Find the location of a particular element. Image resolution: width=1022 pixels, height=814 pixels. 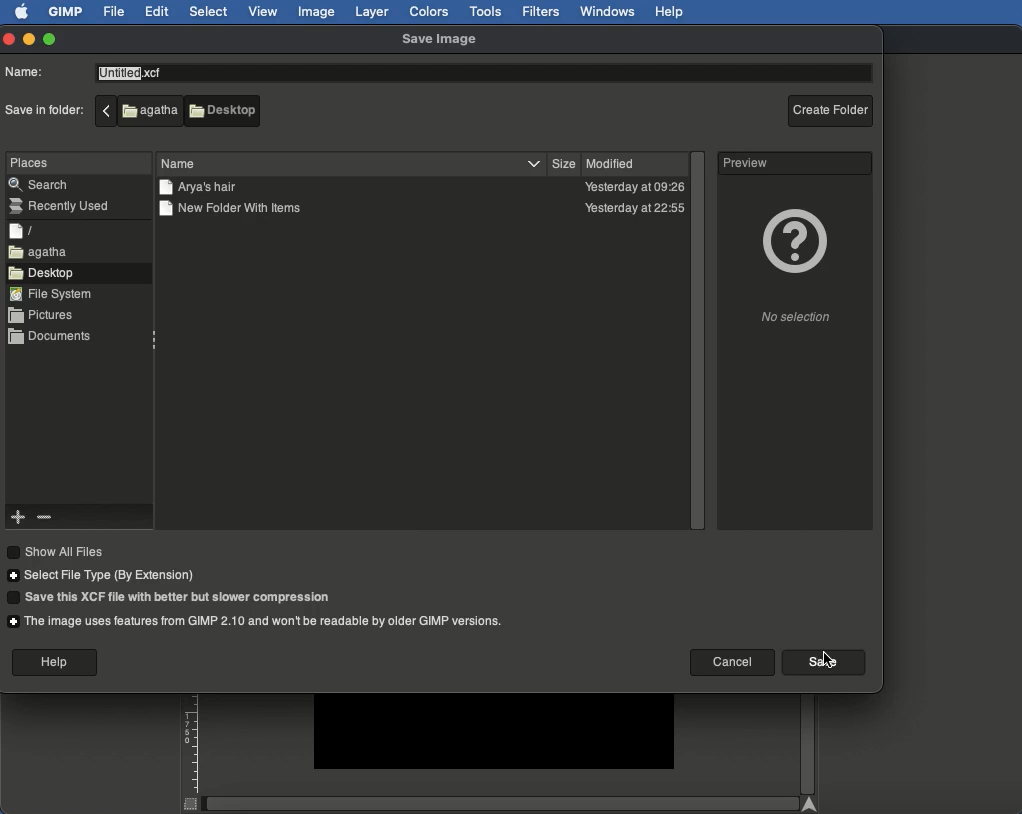

Layer is located at coordinates (373, 10).